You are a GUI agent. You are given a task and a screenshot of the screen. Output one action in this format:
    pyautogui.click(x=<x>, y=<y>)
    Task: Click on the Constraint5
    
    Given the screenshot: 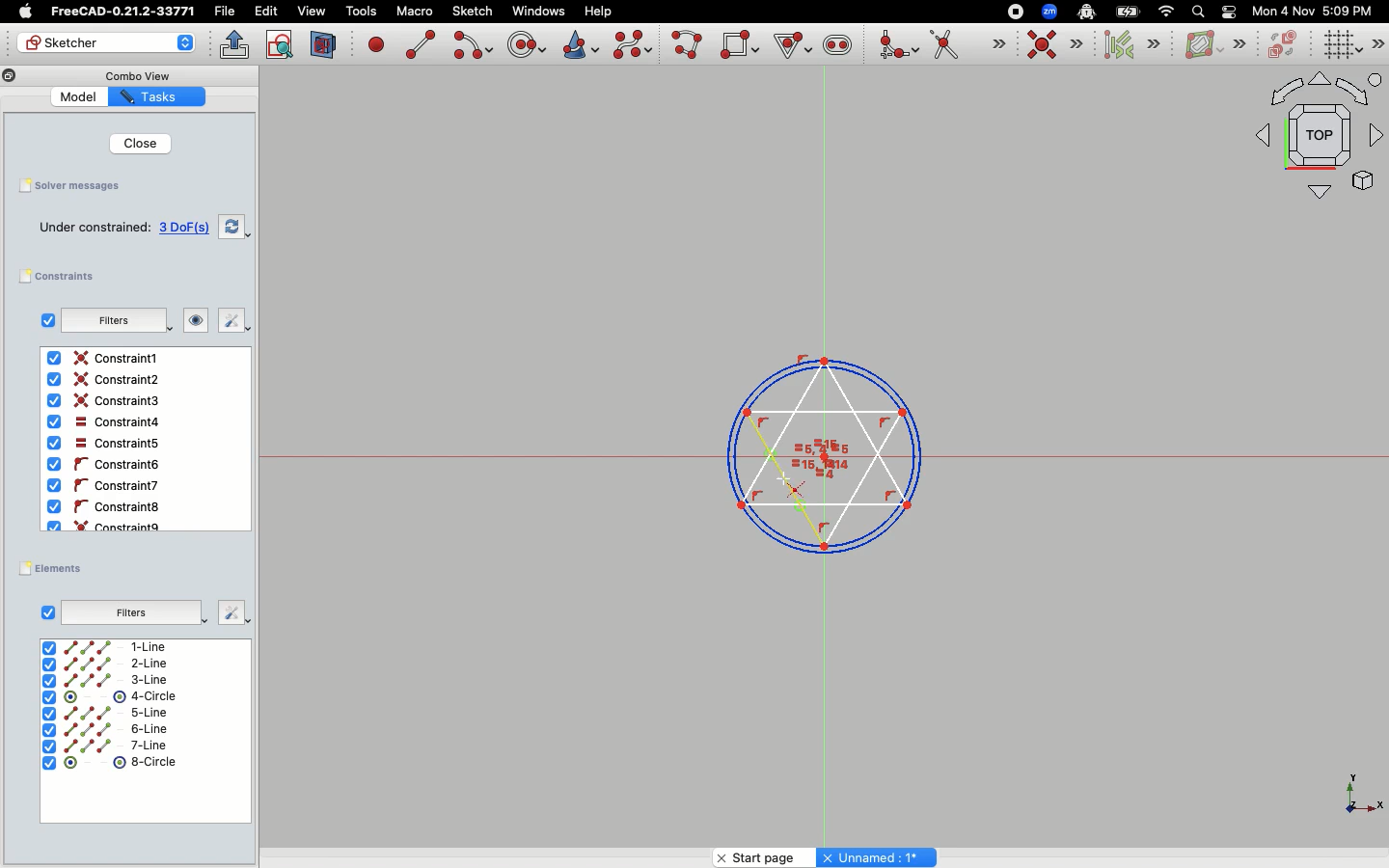 What is the action you would take?
    pyautogui.click(x=103, y=444)
    